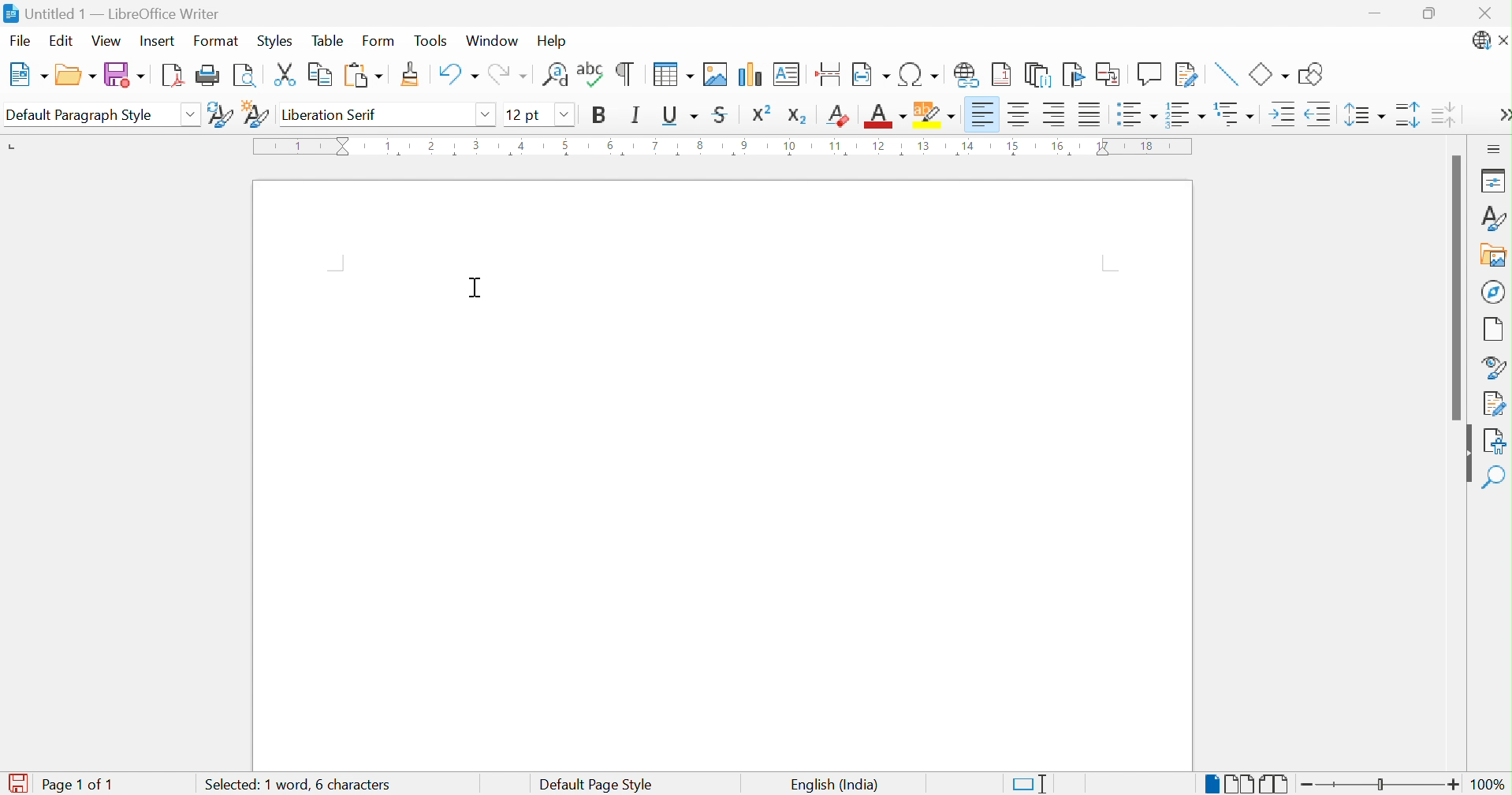 Image resolution: width=1512 pixels, height=795 pixels. I want to click on Ruler, so click(722, 147).